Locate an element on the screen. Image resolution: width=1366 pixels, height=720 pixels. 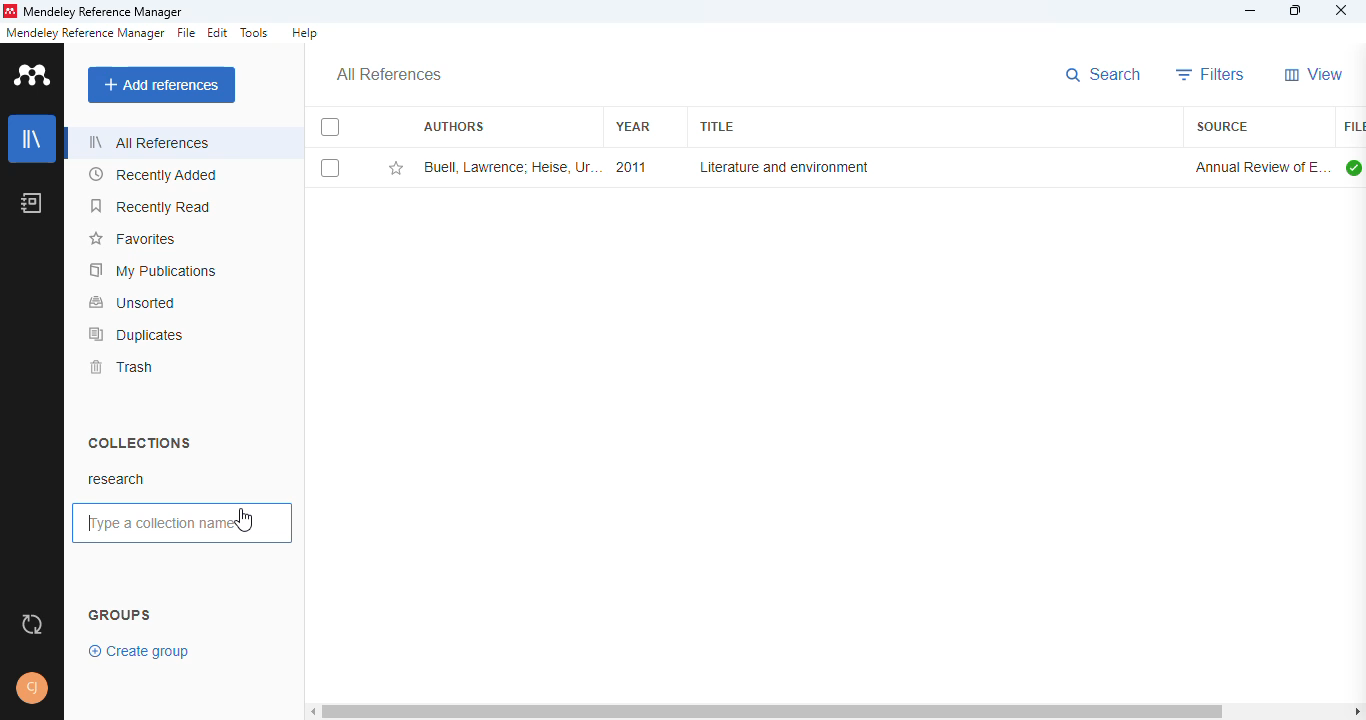
close is located at coordinates (1342, 10).